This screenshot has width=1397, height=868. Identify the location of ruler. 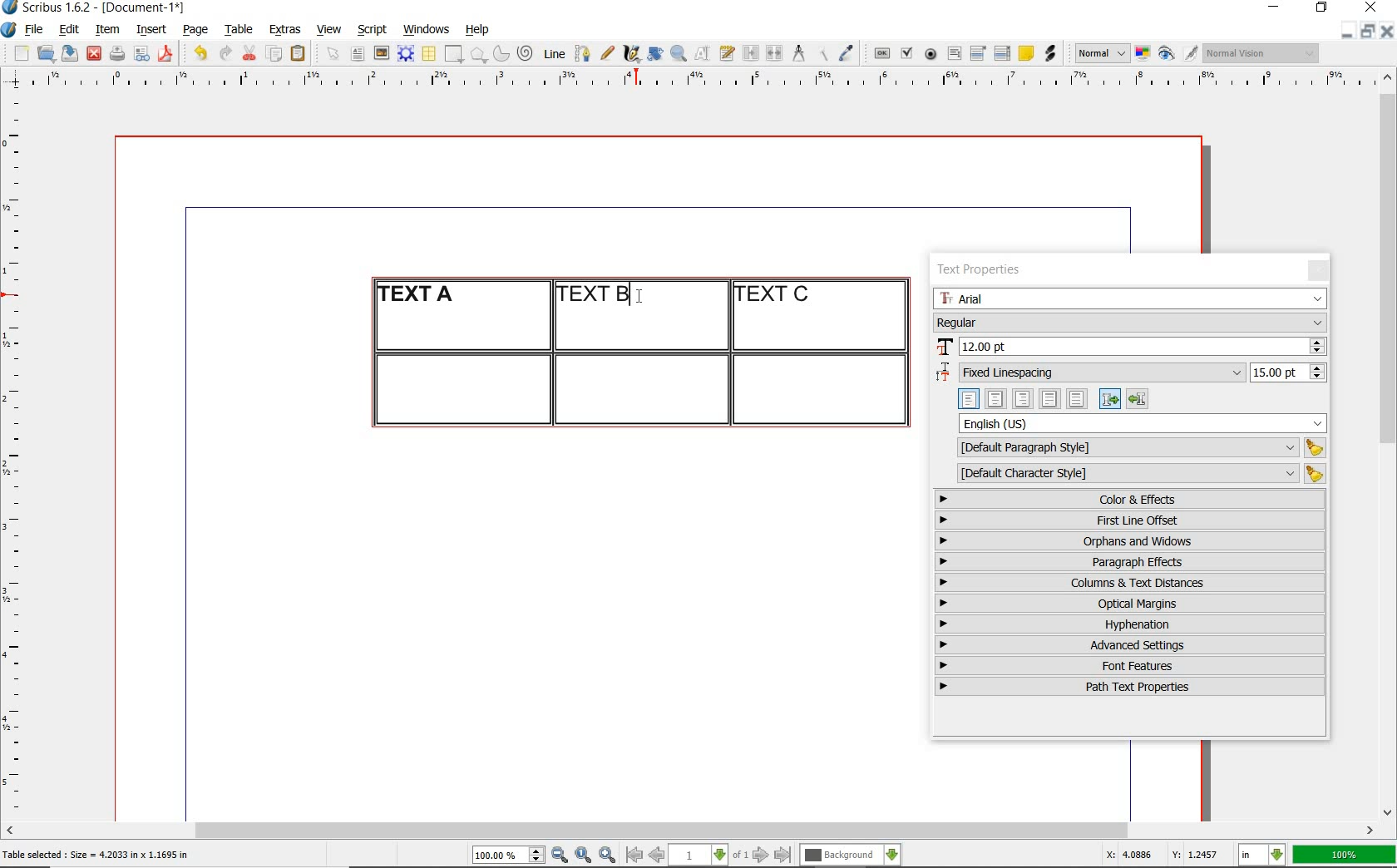
(709, 81).